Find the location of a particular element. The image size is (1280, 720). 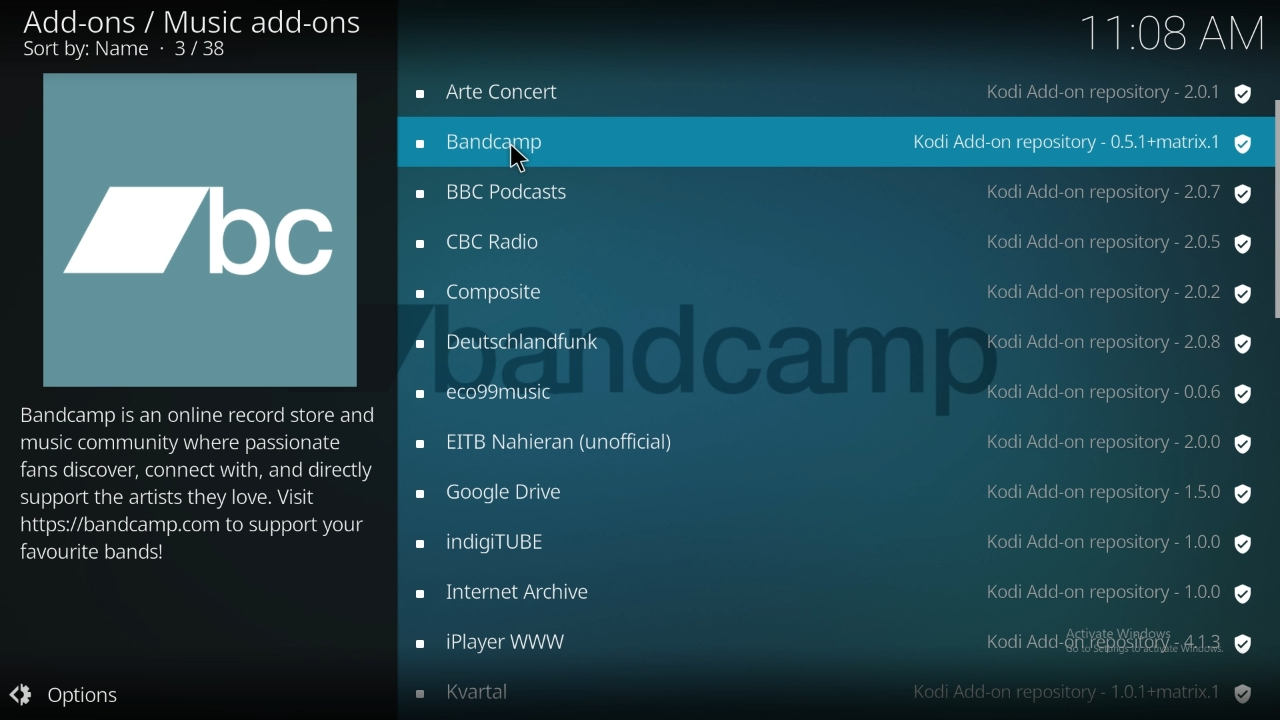

add on is located at coordinates (837, 594).